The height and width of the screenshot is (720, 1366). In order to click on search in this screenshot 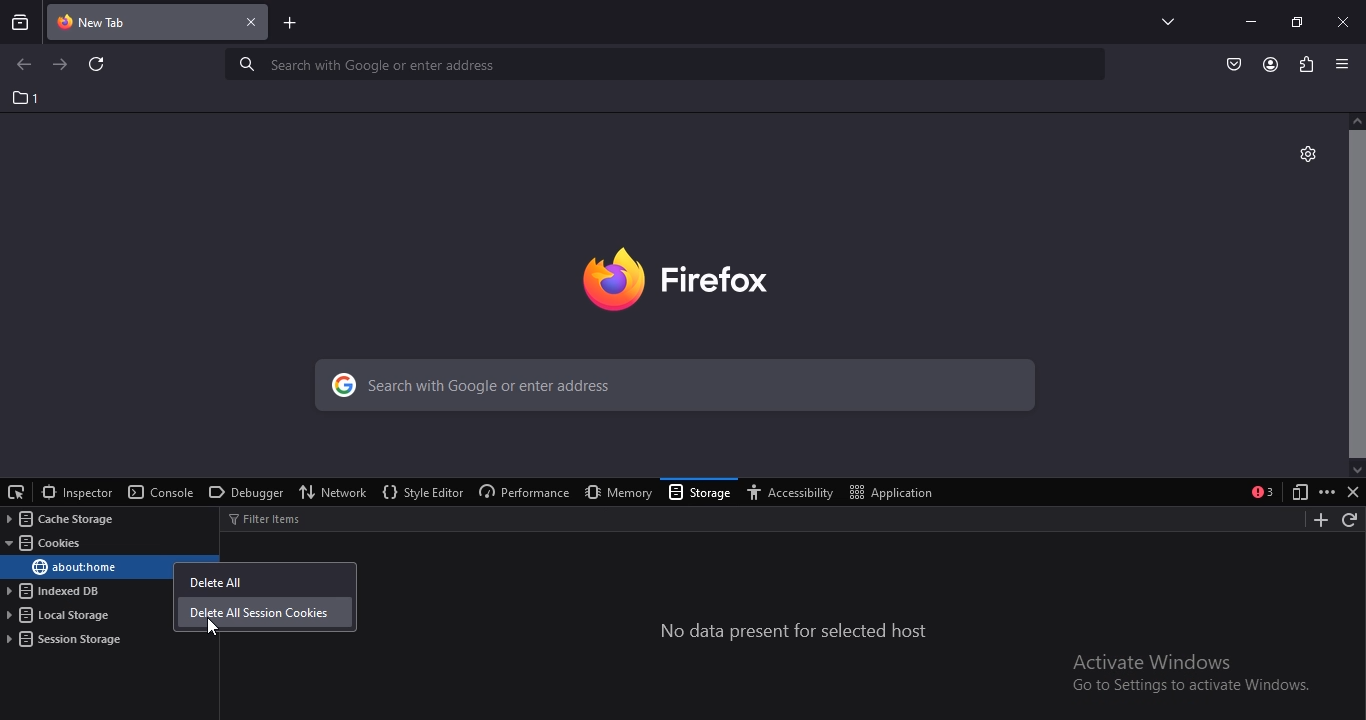, I will do `click(668, 64)`.